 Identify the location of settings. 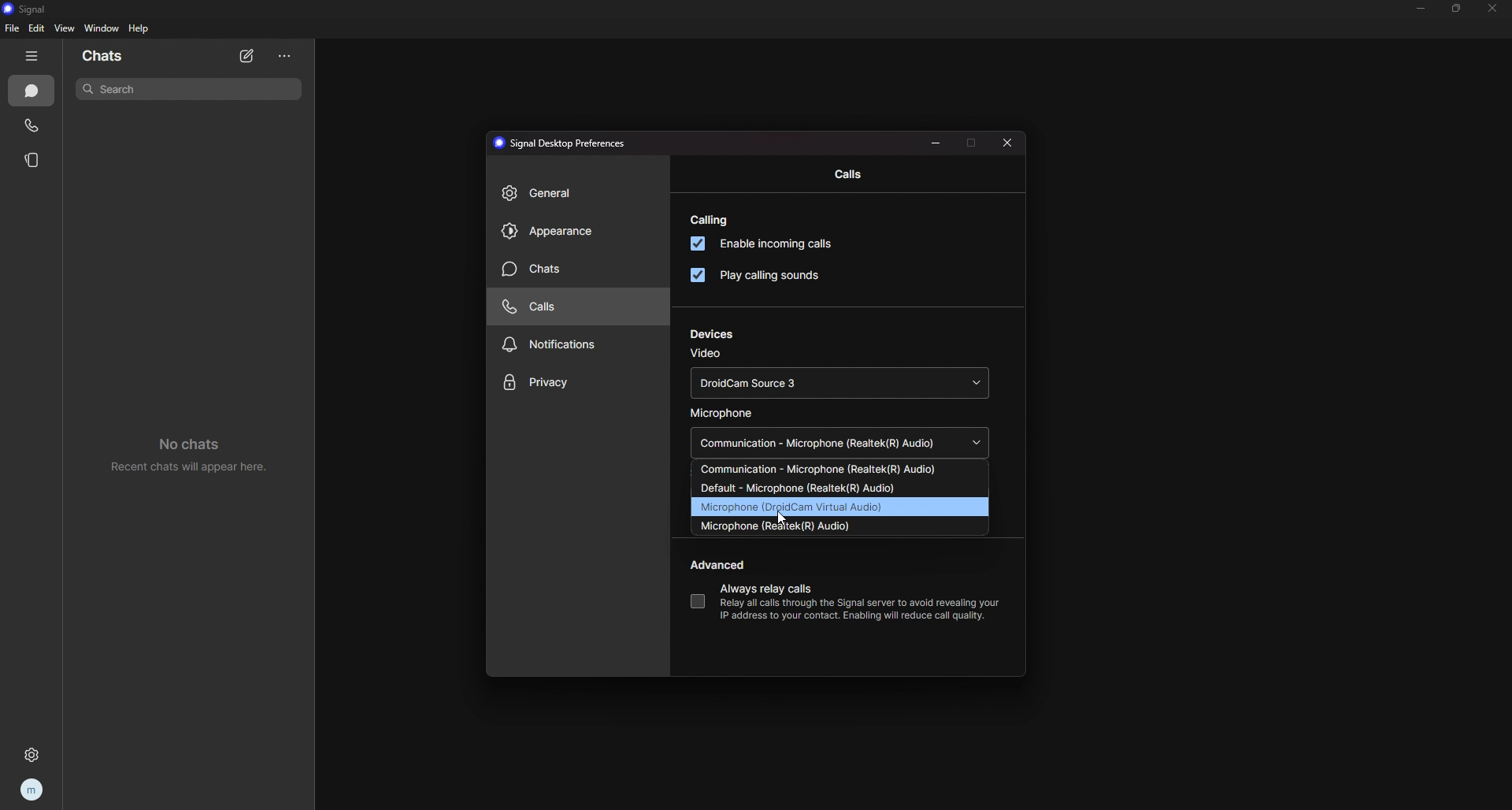
(28, 756).